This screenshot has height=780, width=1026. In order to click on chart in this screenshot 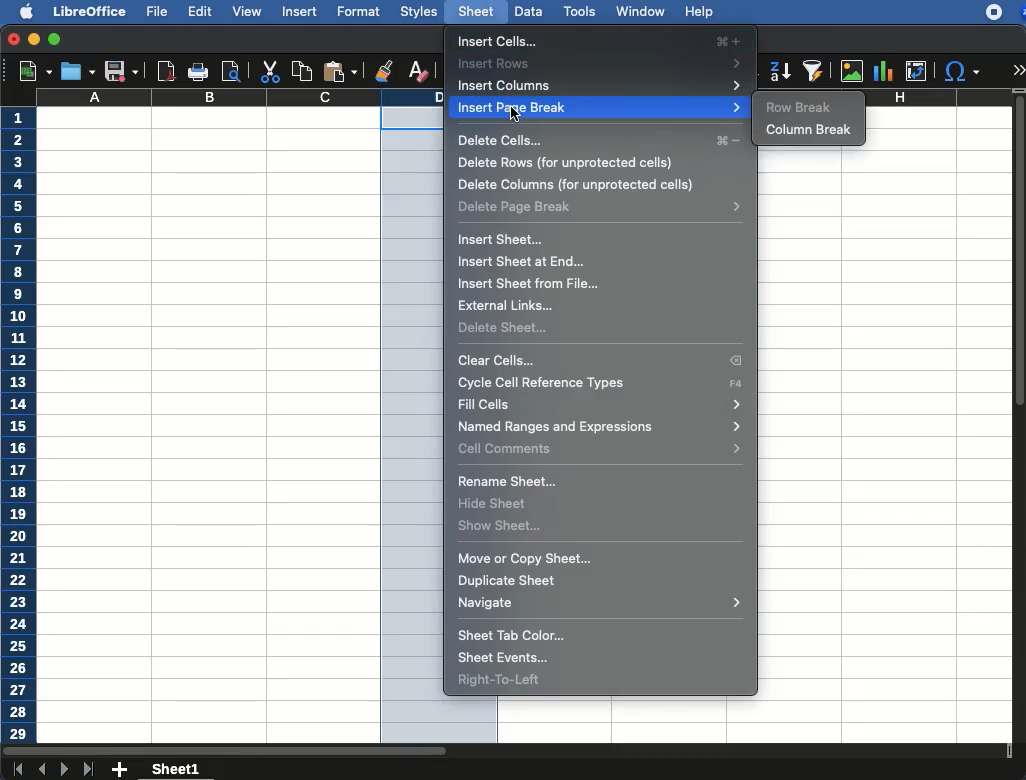, I will do `click(882, 70)`.